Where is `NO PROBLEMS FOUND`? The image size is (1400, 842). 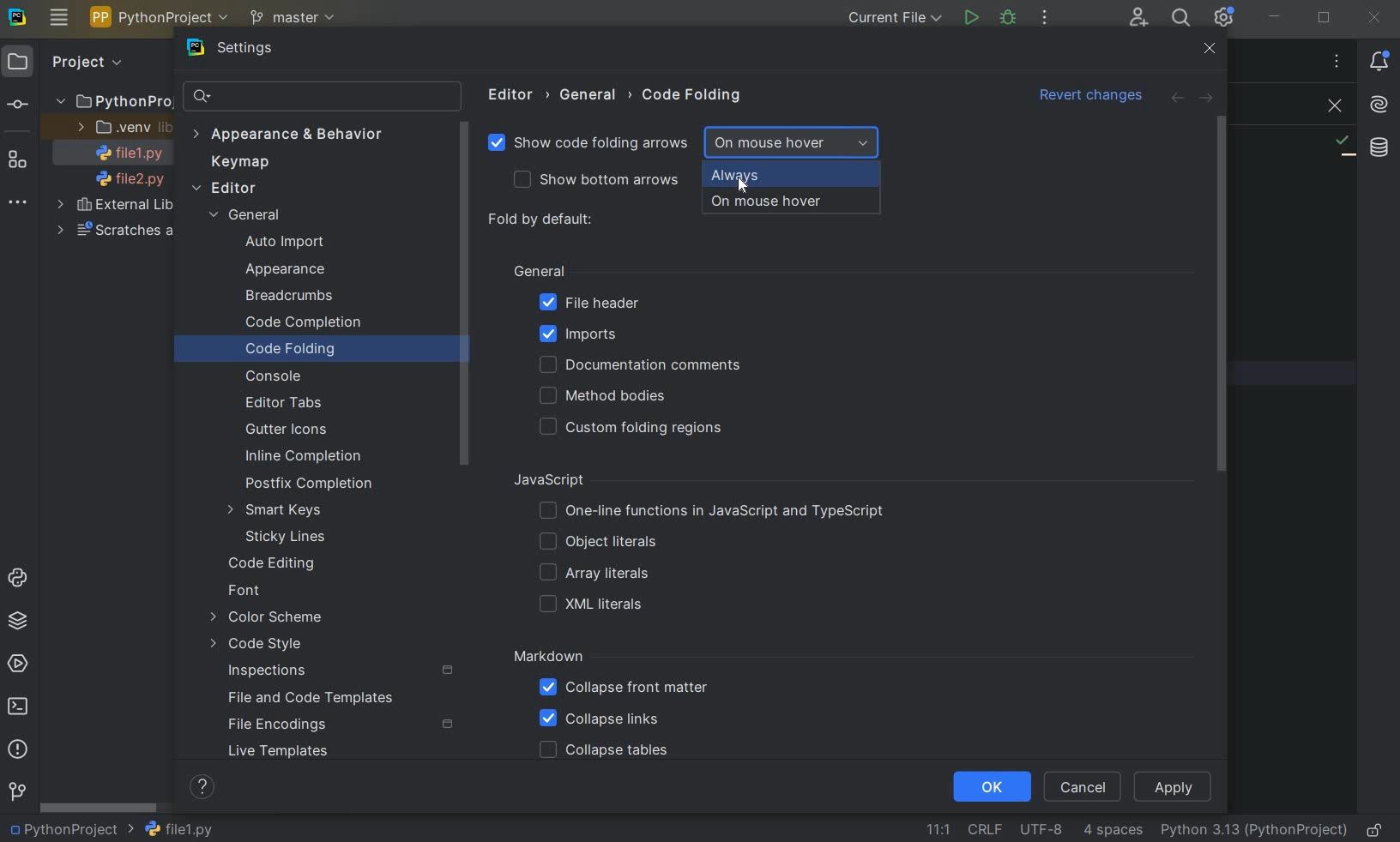 NO PROBLEMS FOUND is located at coordinates (1343, 146).